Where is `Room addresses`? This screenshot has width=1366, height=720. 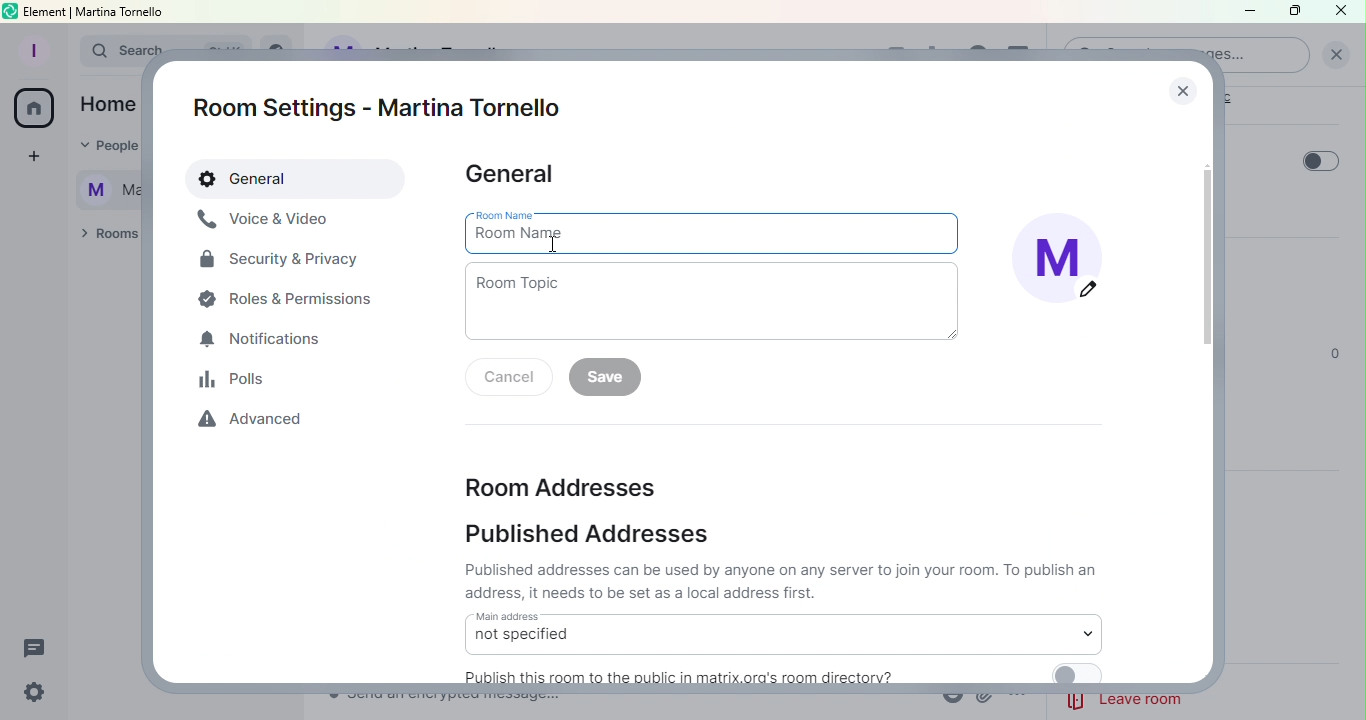
Room addresses is located at coordinates (560, 485).